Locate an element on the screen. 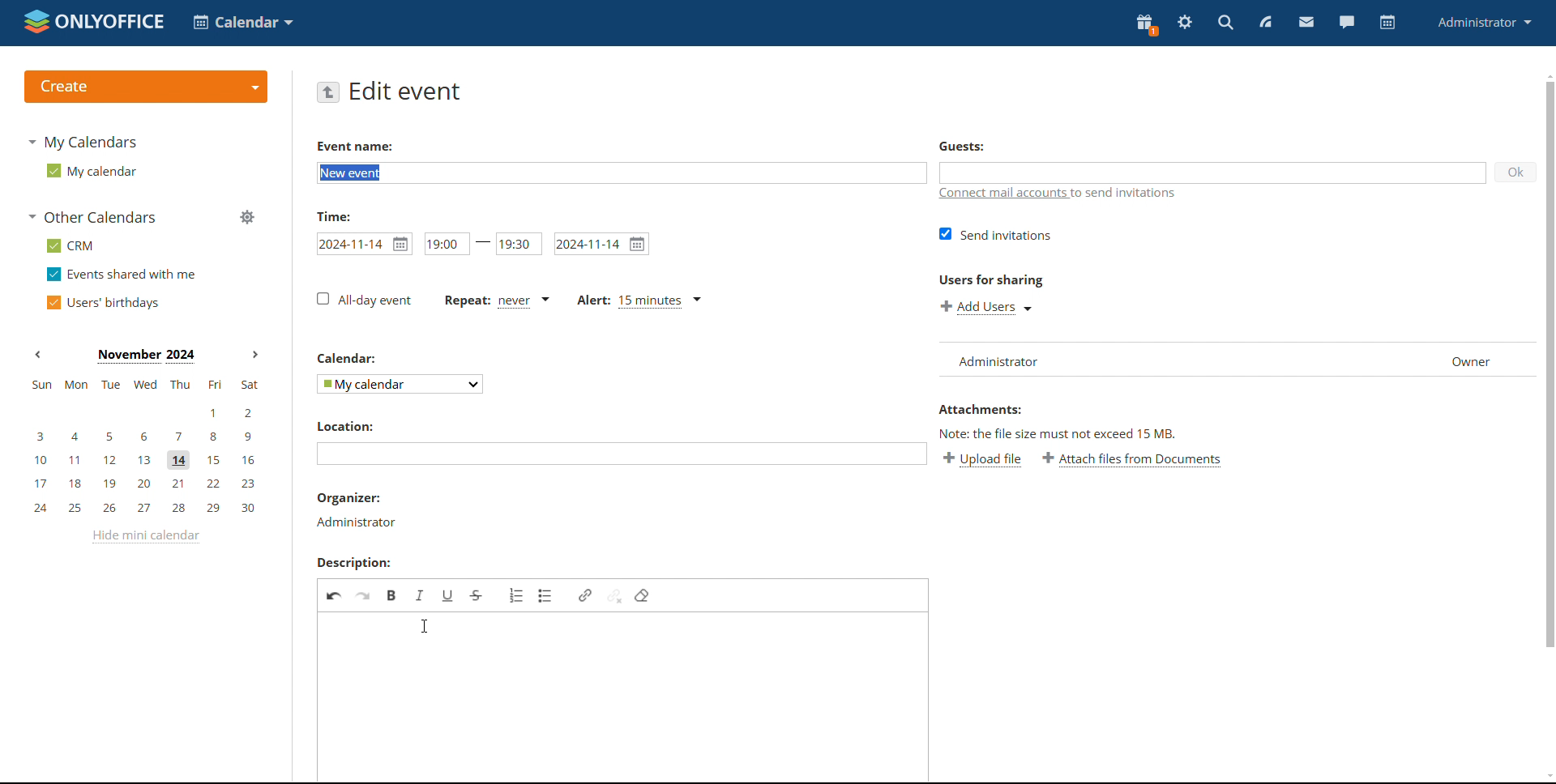 The image size is (1556, 784). time is located at coordinates (339, 215).